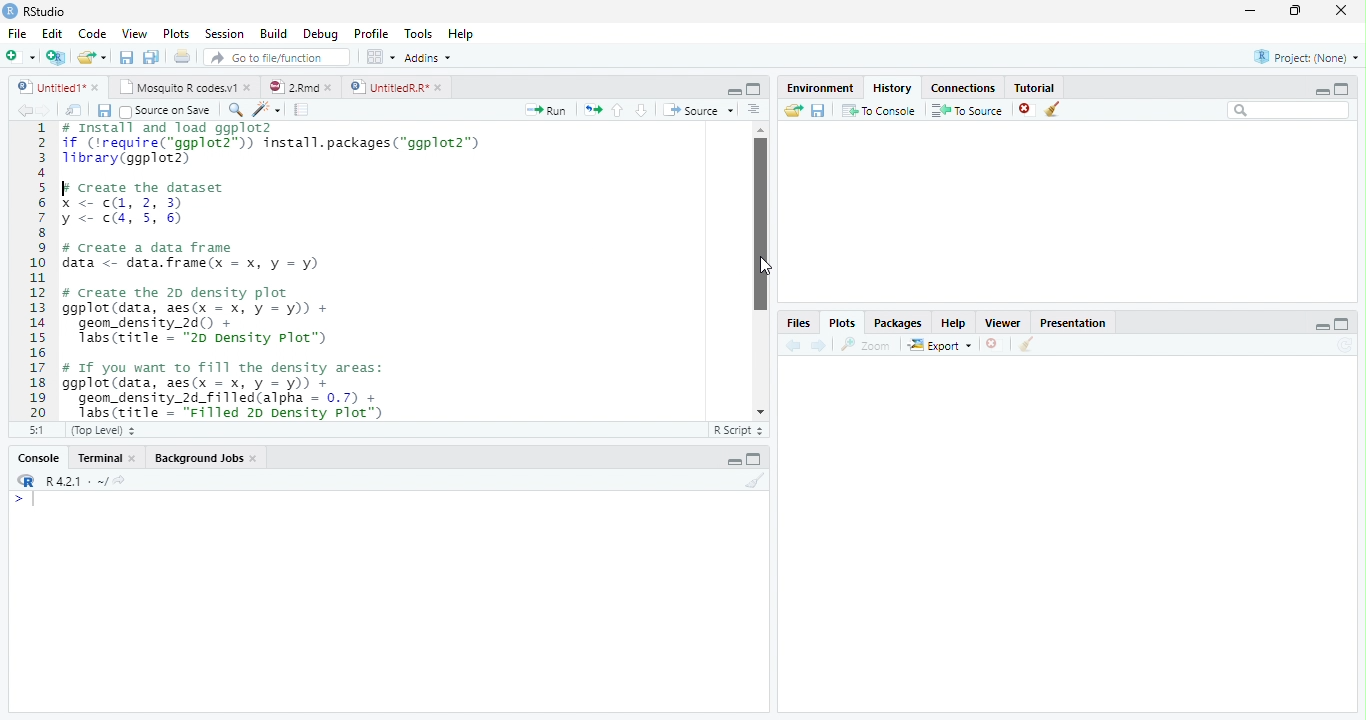 The image size is (1366, 720). Describe the element at coordinates (273, 33) in the screenshot. I see `Build` at that location.